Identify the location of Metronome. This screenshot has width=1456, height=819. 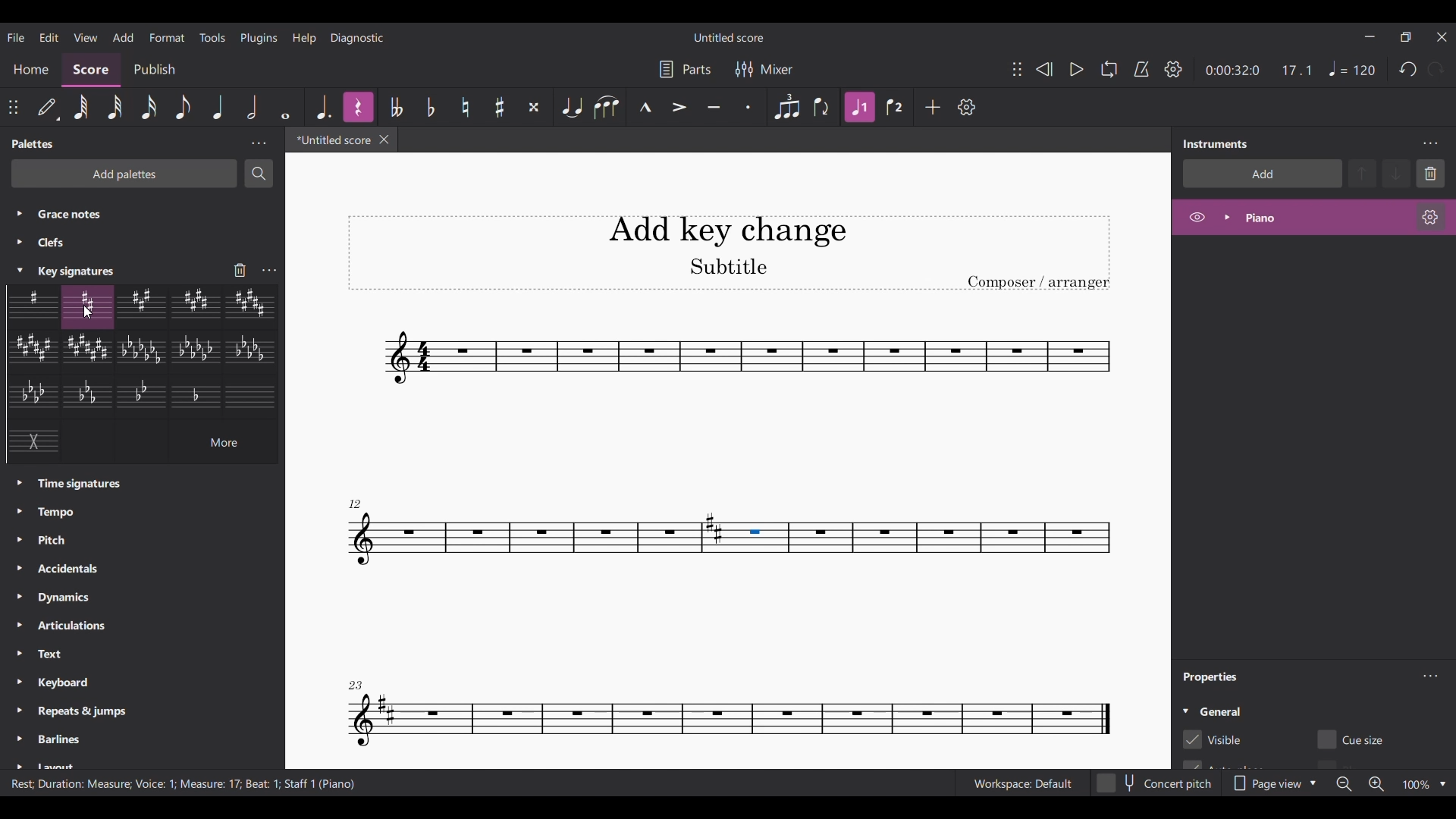
(1141, 68).